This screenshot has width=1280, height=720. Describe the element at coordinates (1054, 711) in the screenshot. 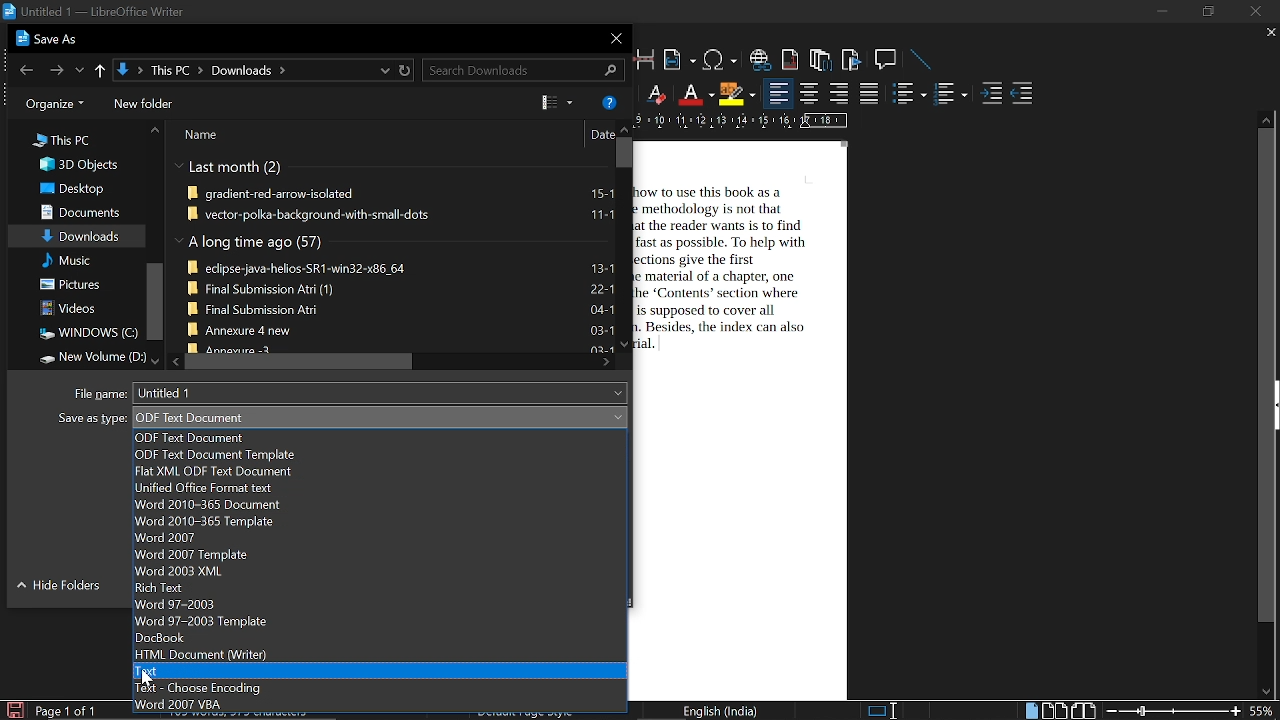

I see `multiple page view` at that location.